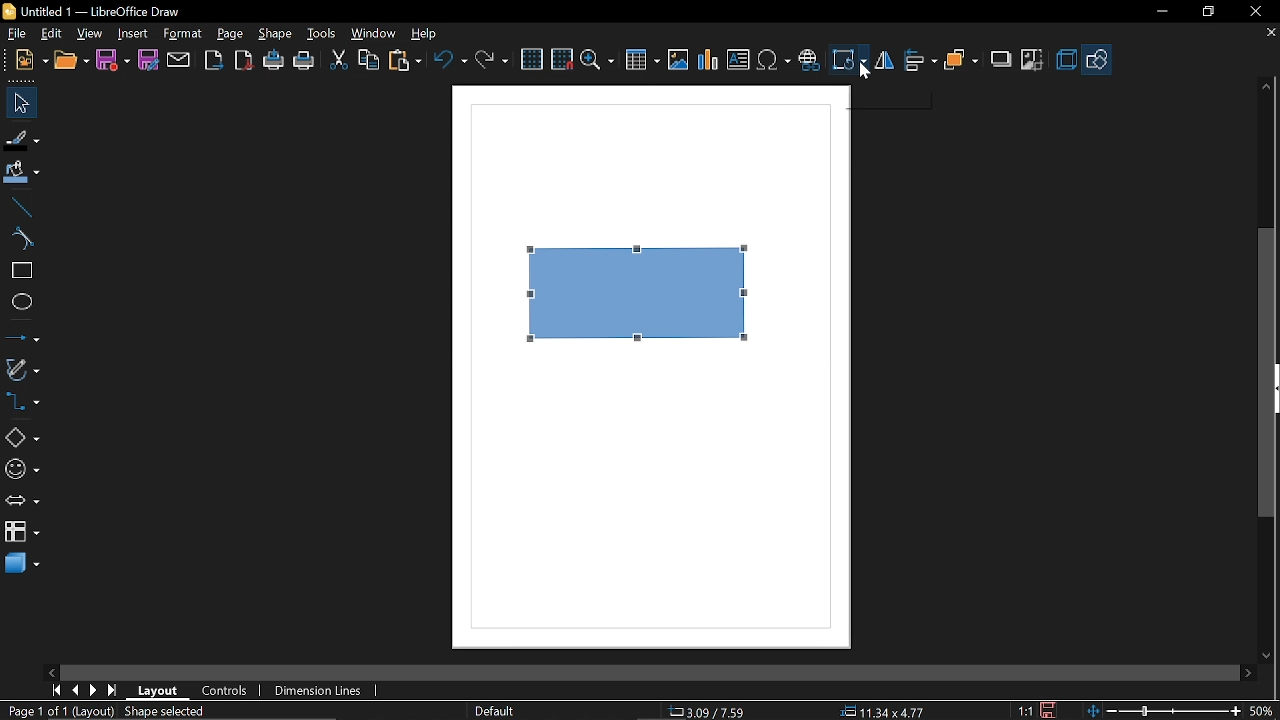 This screenshot has height=720, width=1280. I want to click on Move down, so click(1270, 655).